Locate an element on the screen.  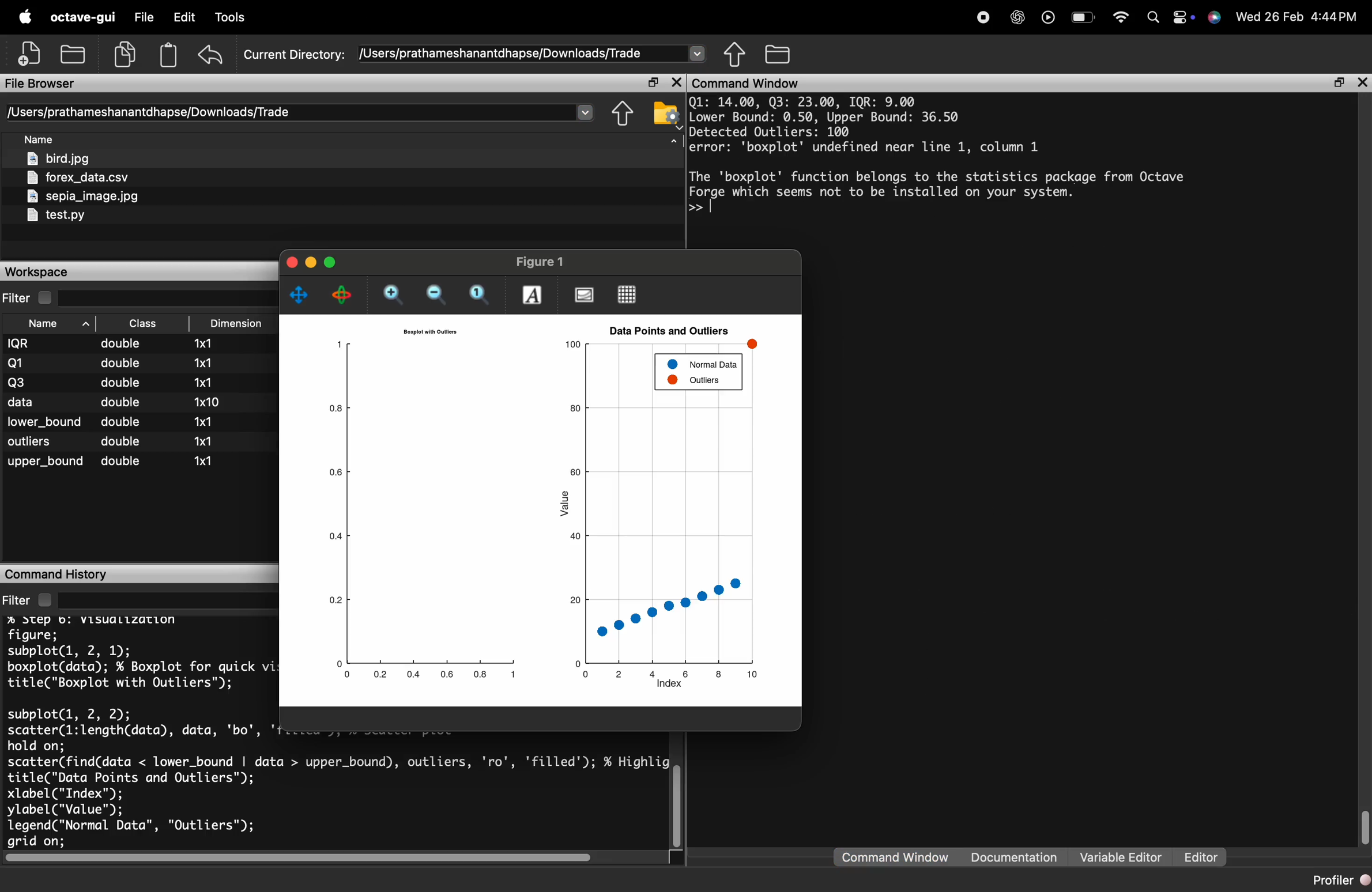
close is located at coordinates (1362, 82).